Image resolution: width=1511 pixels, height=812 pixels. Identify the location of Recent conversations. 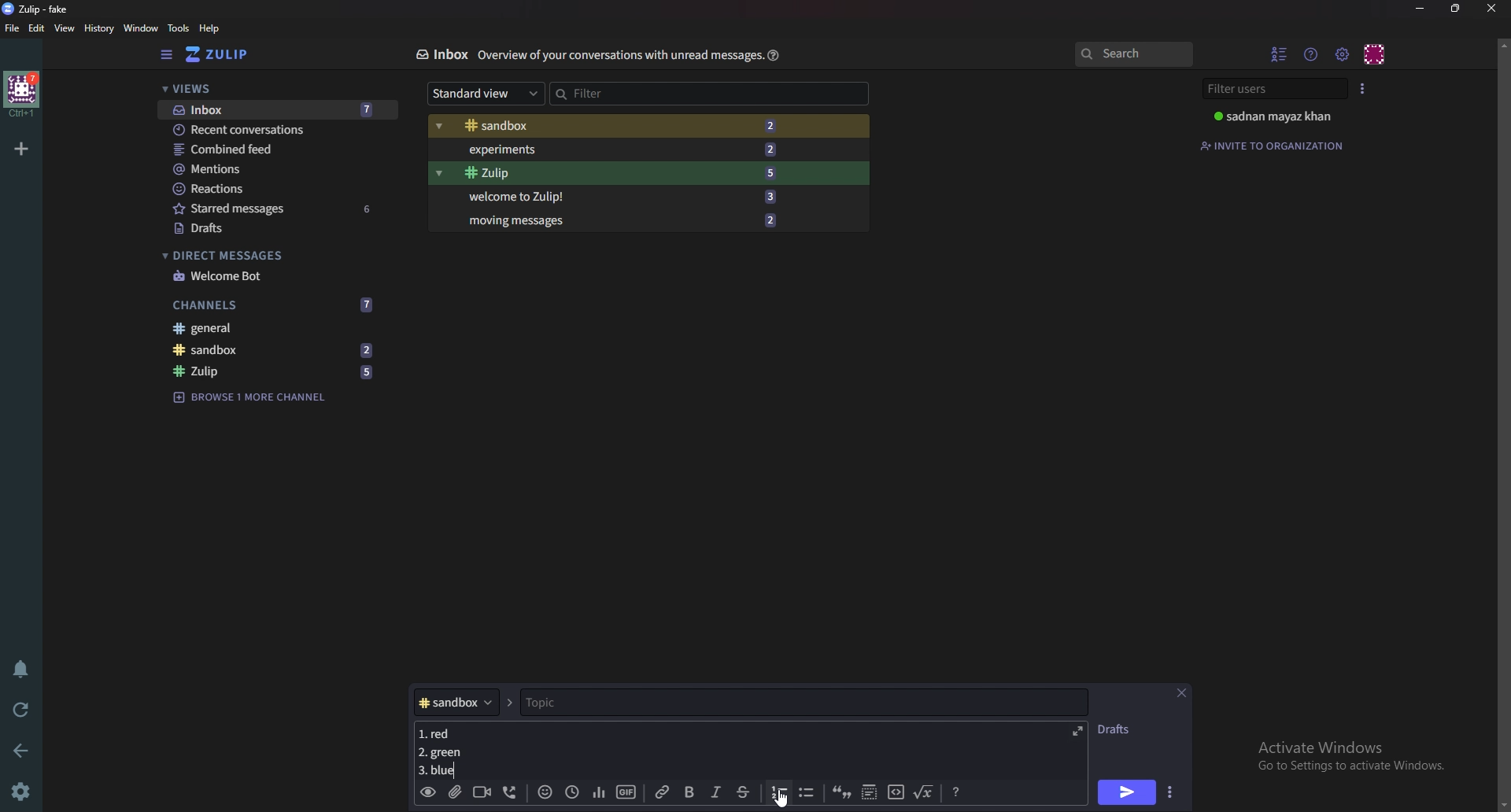
(278, 131).